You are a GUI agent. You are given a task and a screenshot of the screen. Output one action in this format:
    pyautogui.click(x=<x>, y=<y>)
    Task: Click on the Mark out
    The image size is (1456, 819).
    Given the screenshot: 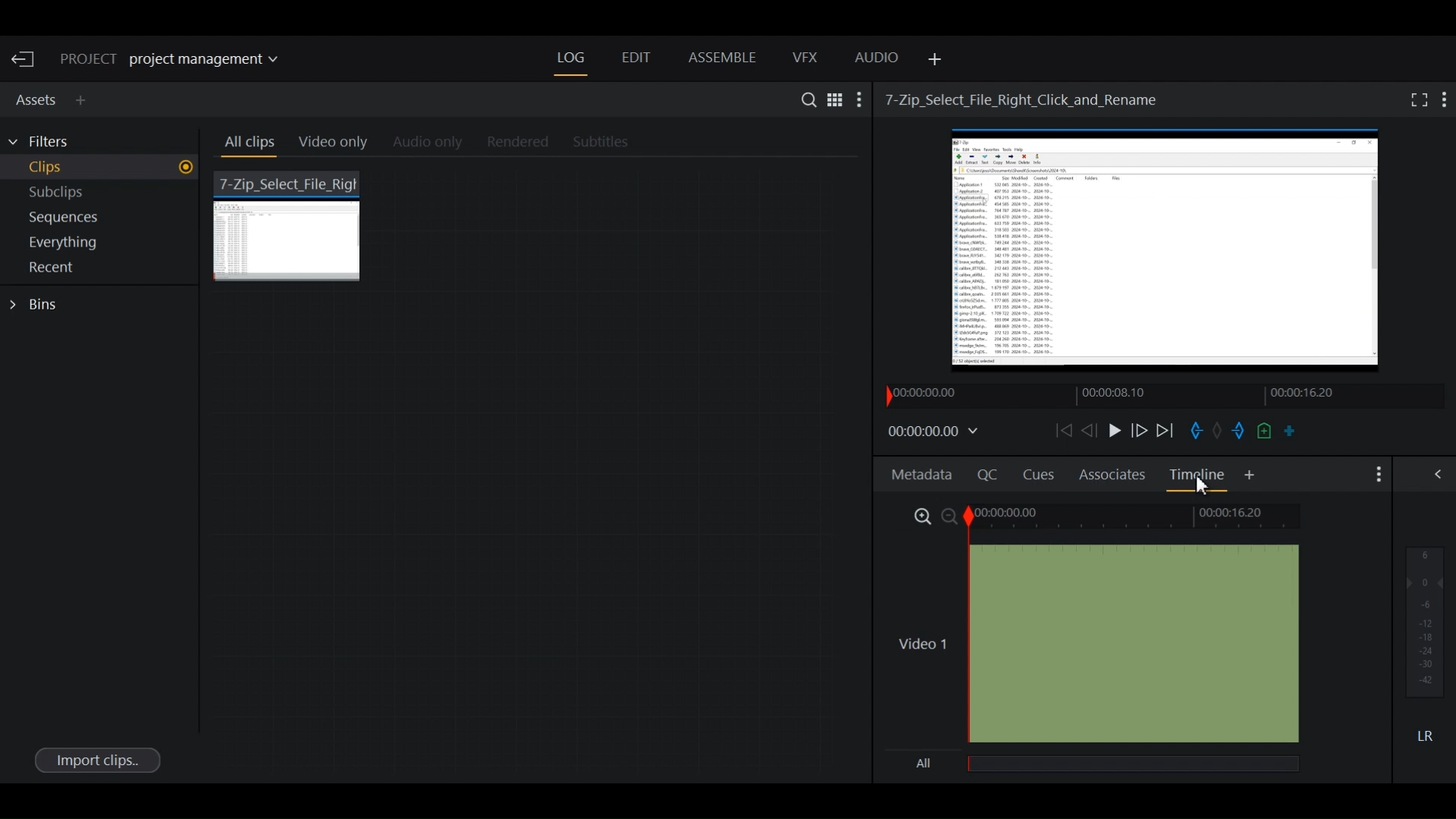 What is the action you would take?
    pyautogui.click(x=1237, y=431)
    